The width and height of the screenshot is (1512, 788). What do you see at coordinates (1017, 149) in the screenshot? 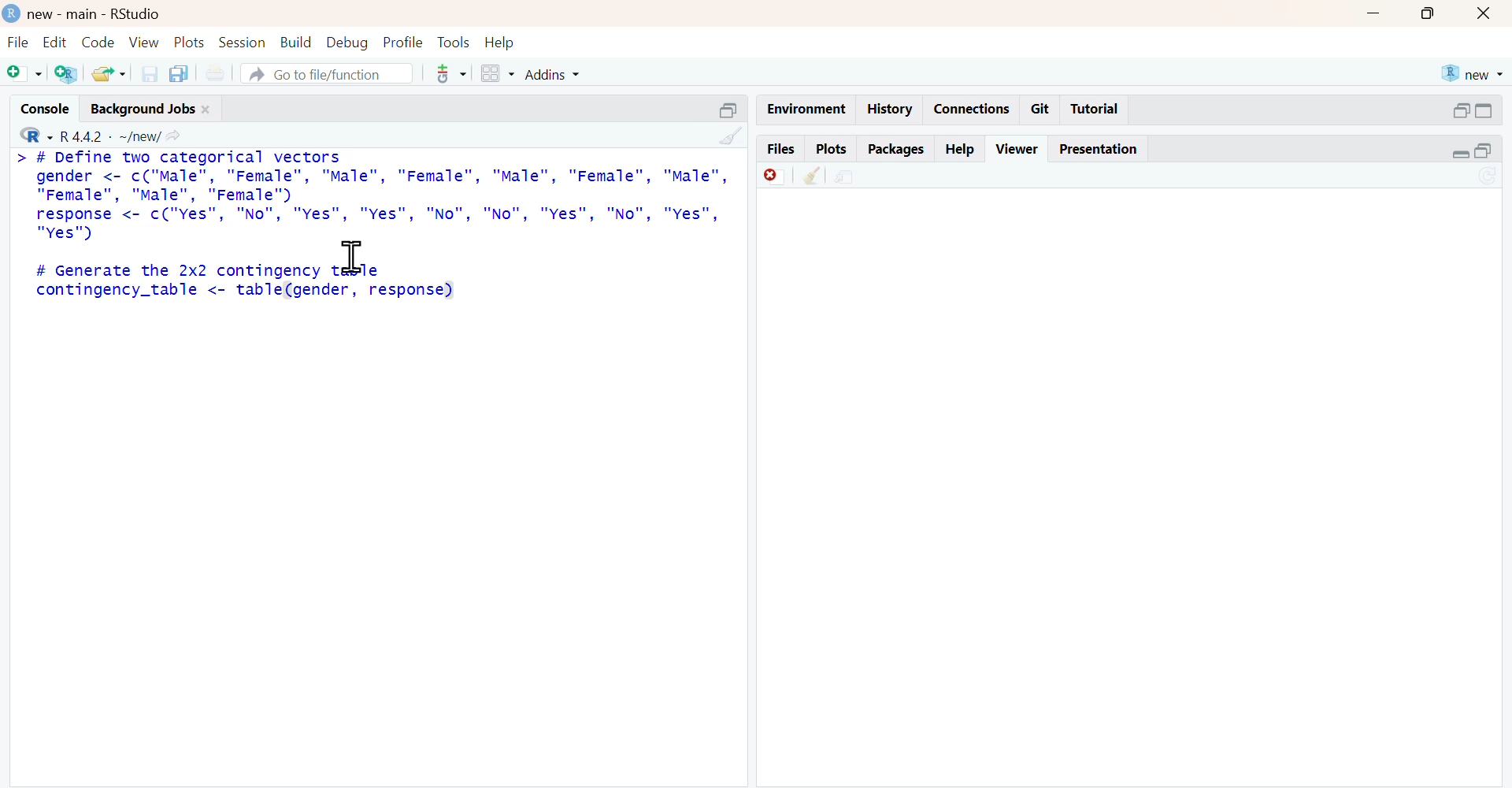
I see `viewer` at bounding box center [1017, 149].